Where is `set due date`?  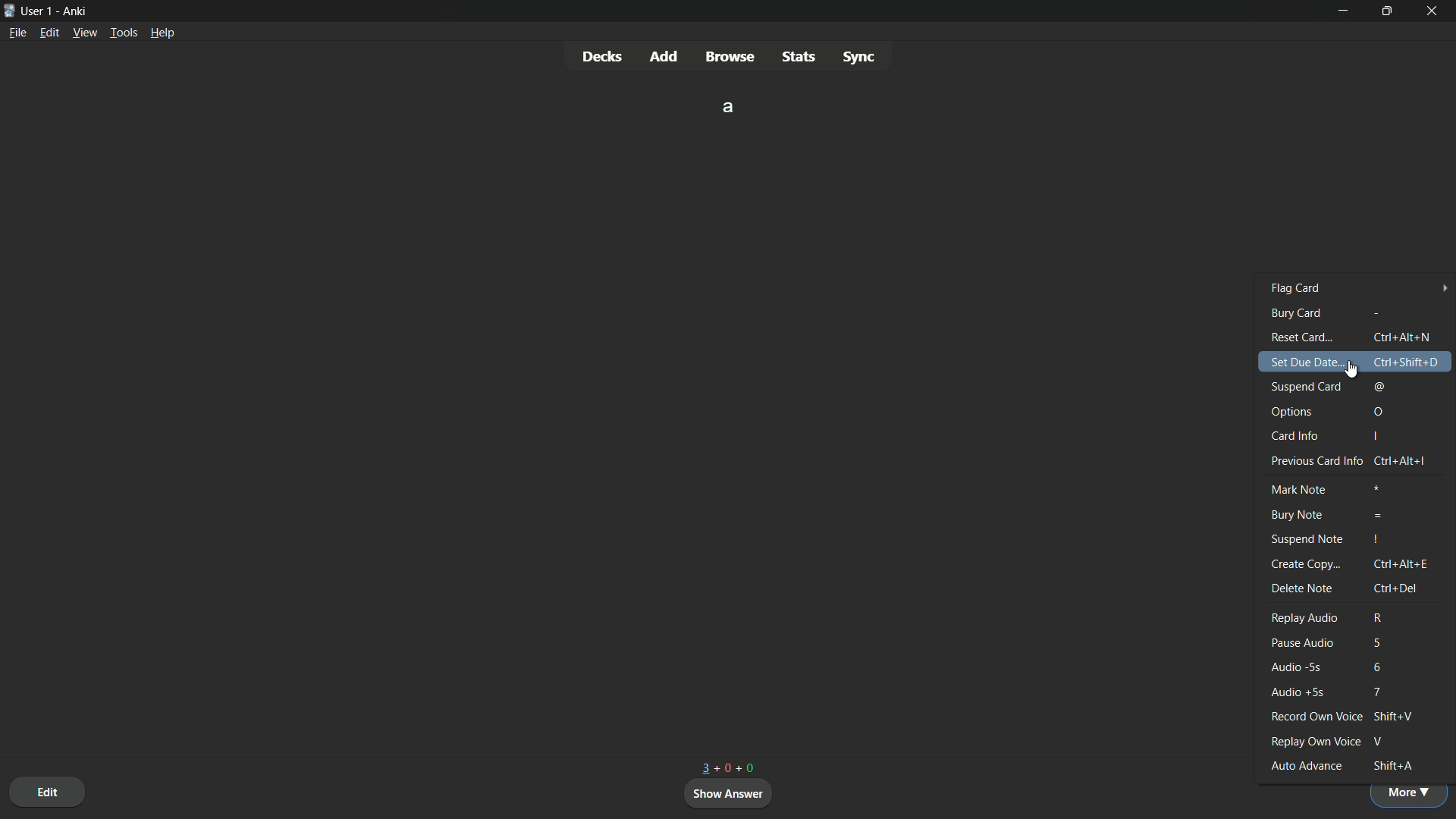
set due date is located at coordinates (1304, 363).